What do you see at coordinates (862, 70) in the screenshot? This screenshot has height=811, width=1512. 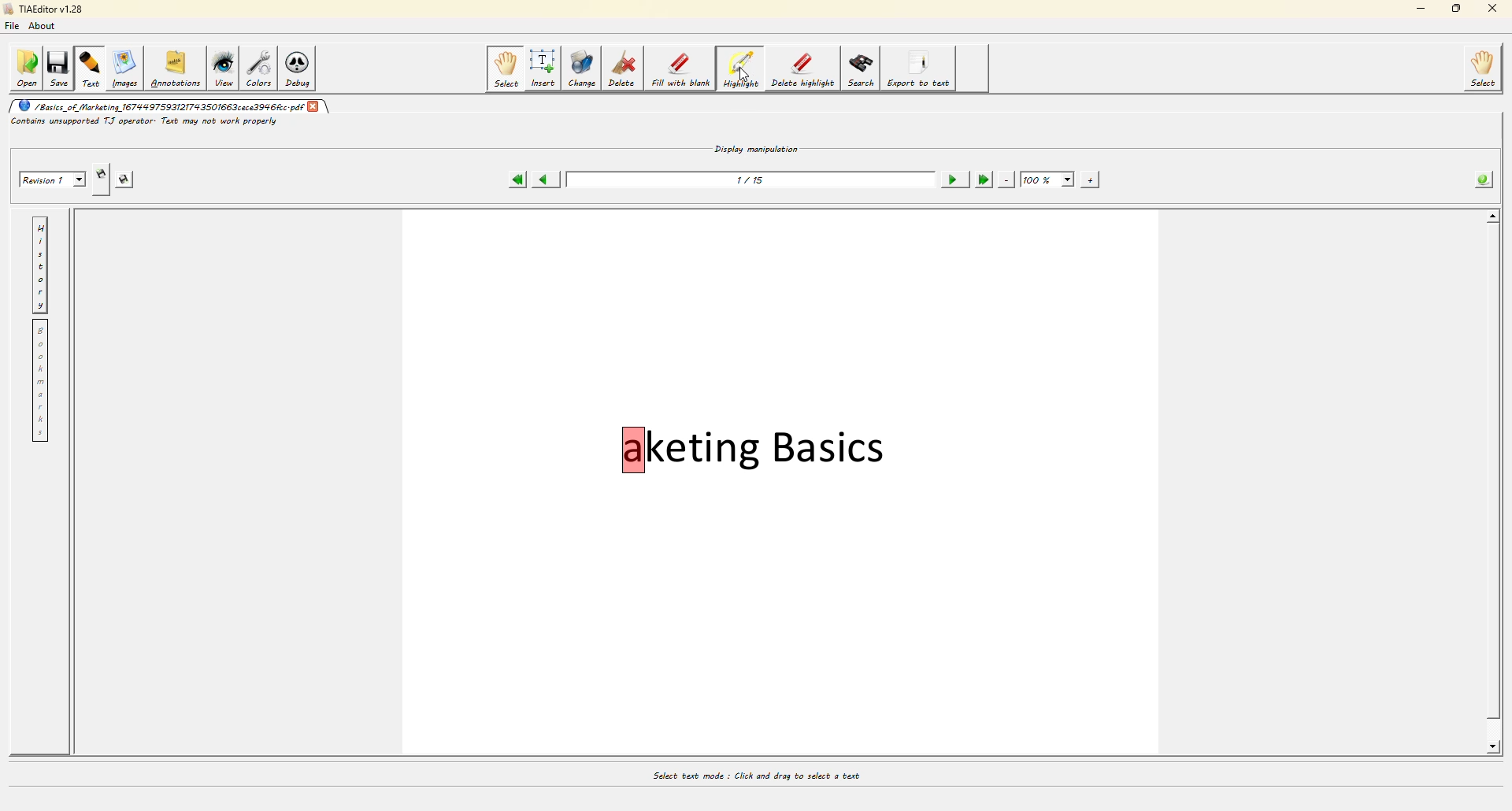 I see `search` at bounding box center [862, 70].